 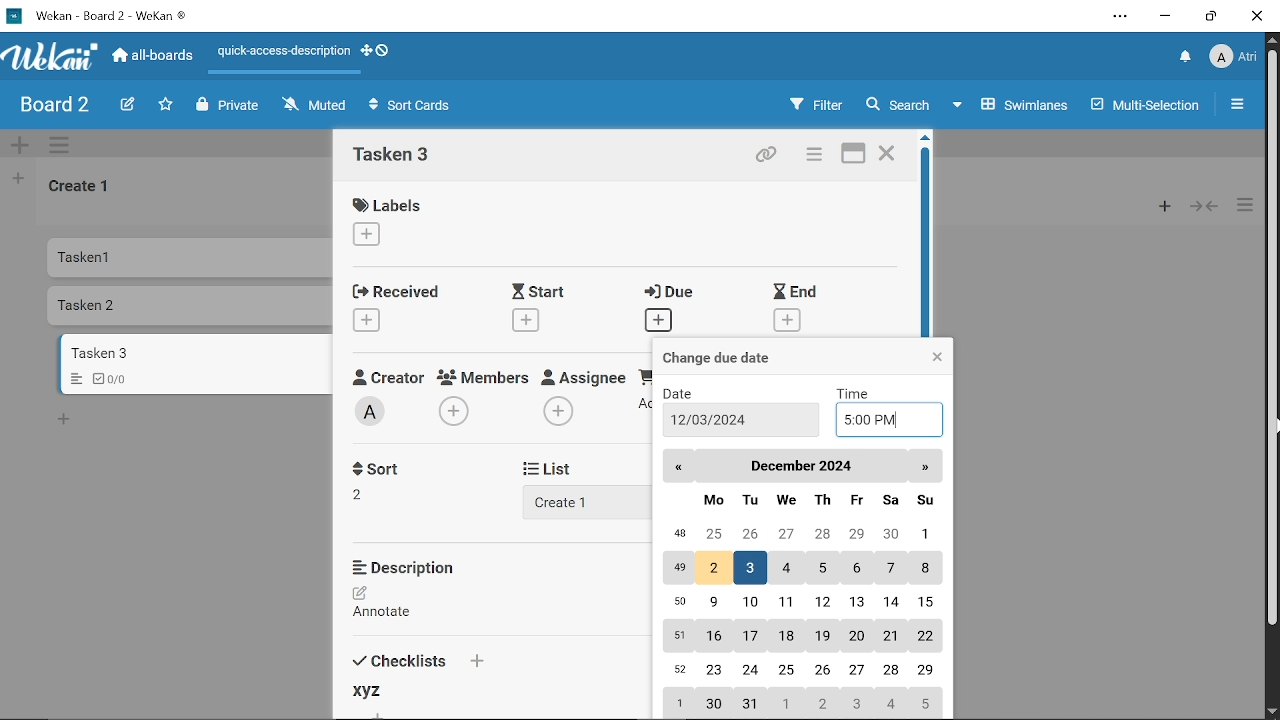 I want to click on Add members, so click(x=456, y=412).